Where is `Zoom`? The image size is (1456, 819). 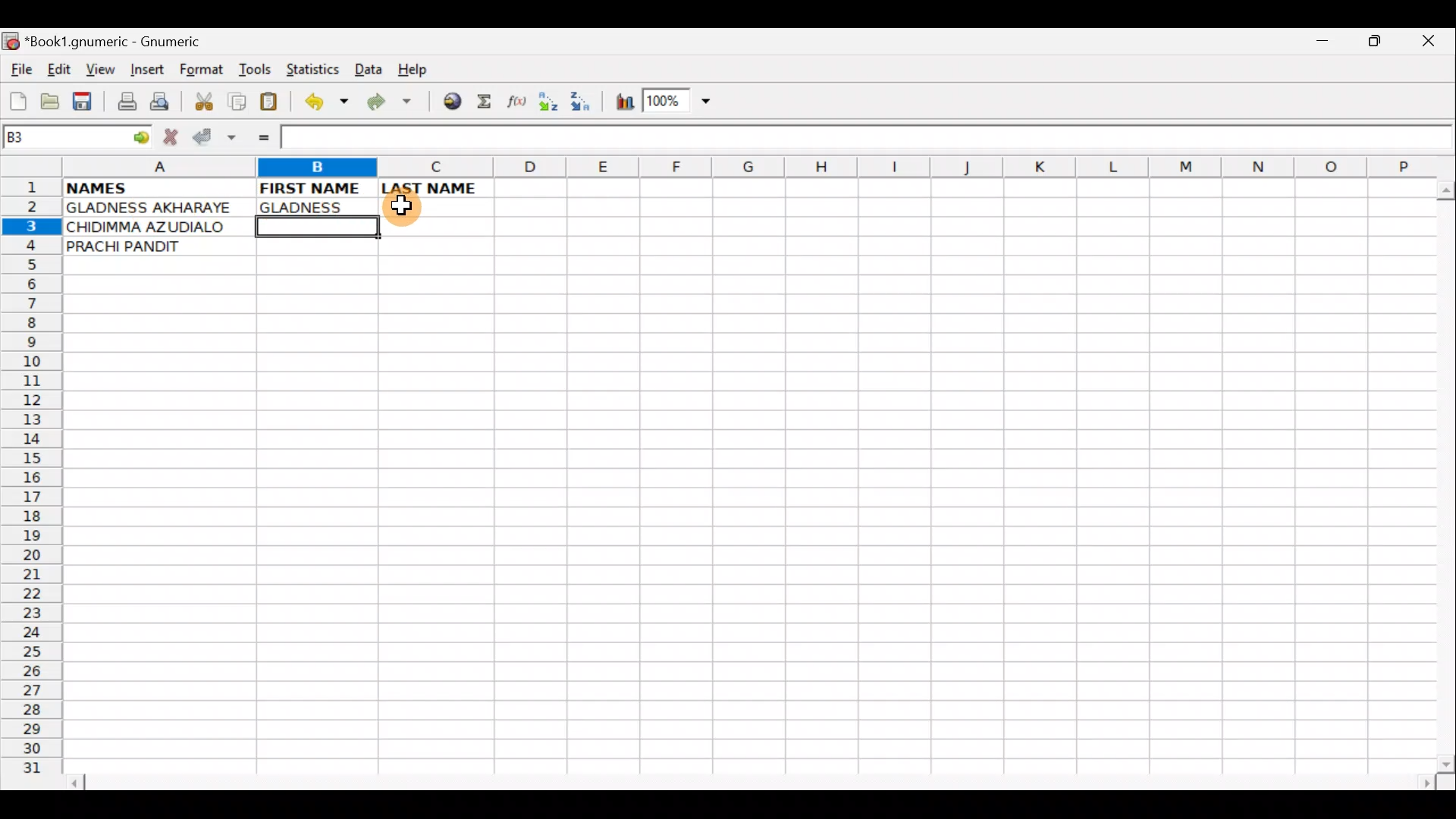
Zoom is located at coordinates (679, 103).